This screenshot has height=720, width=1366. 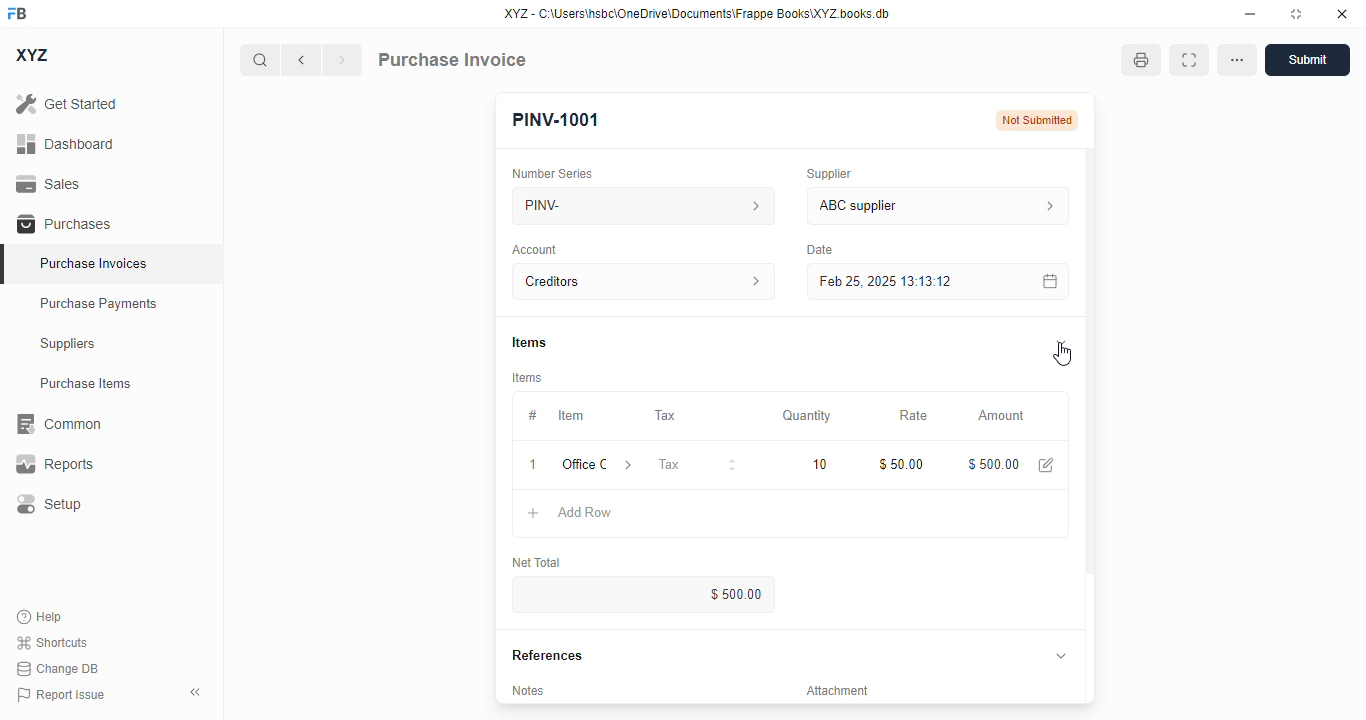 I want to click on search, so click(x=261, y=60).